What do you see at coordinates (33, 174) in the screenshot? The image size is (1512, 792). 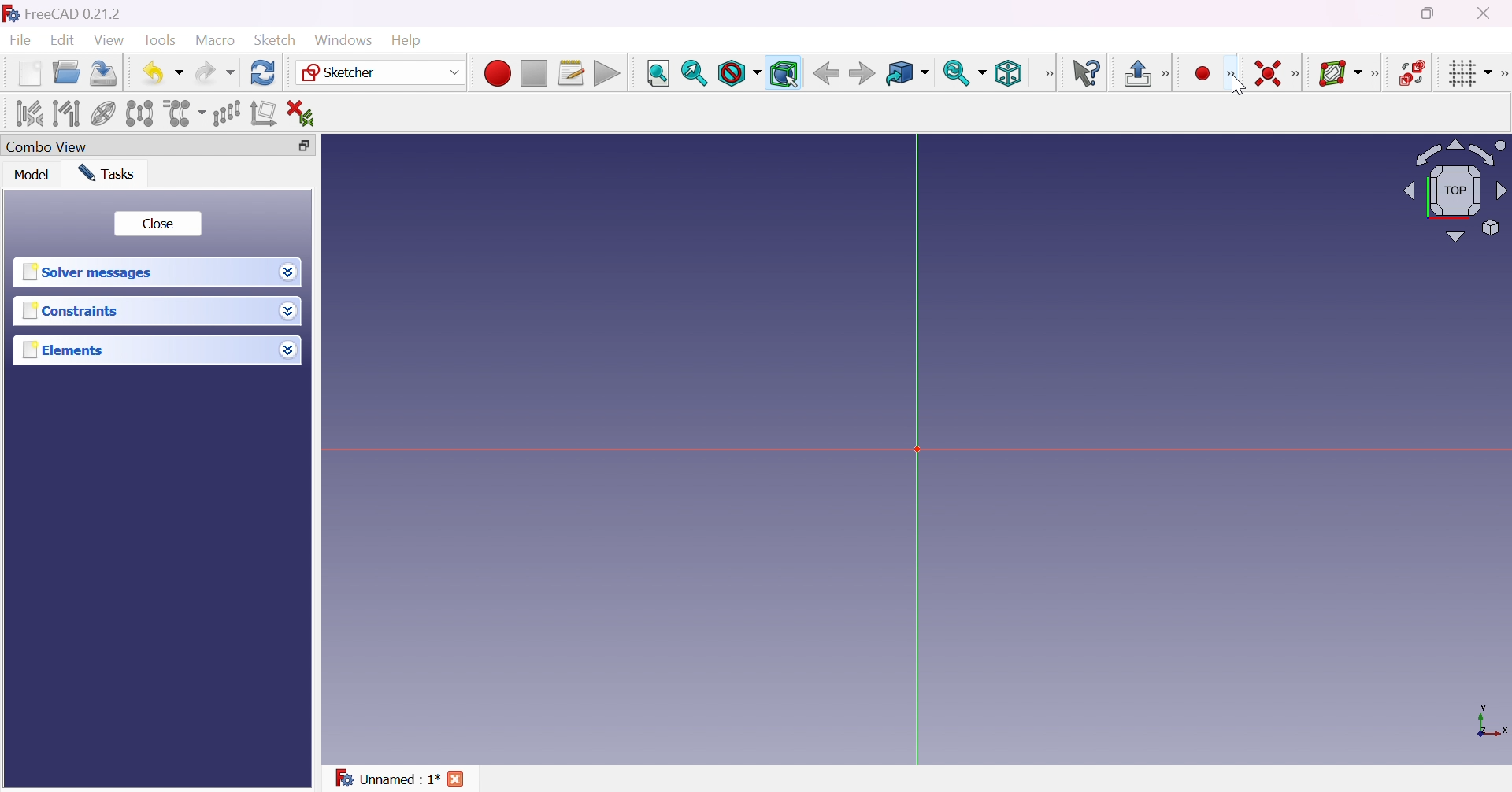 I see `Model` at bounding box center [33, 174].